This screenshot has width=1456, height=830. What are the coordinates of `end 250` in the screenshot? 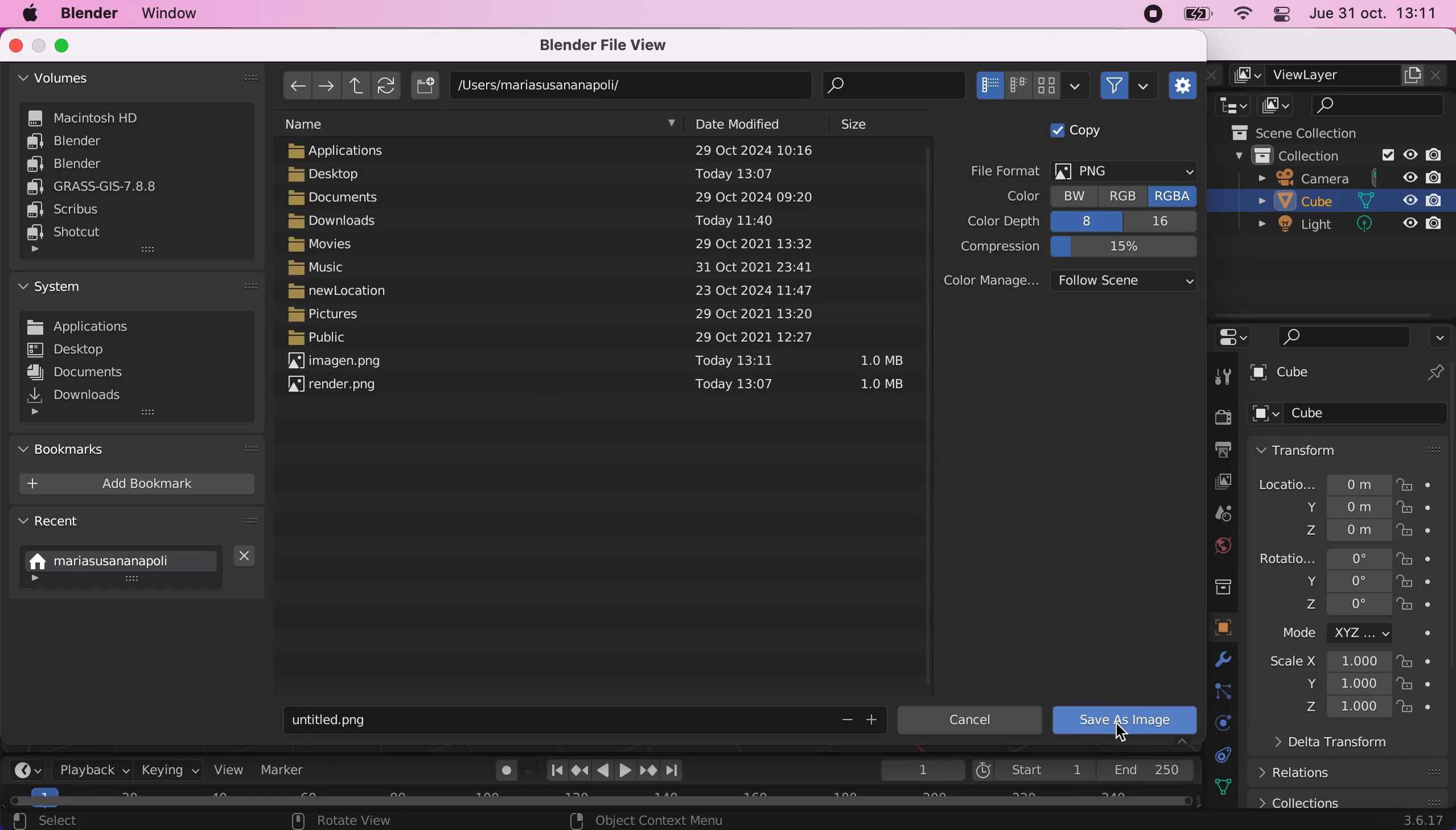 It's located at (1152, 771).